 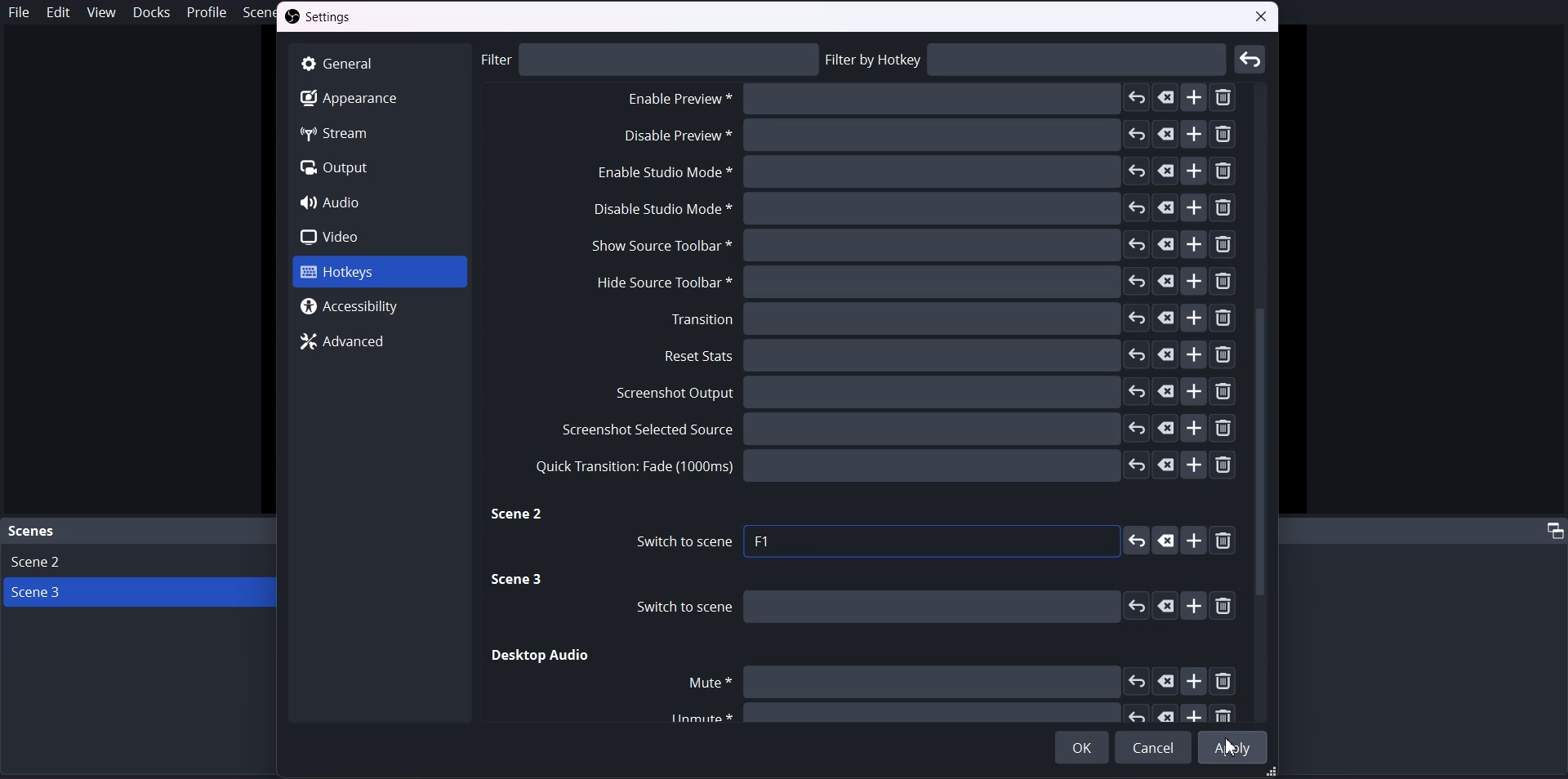 I want to click on adjust tab, so click(x=1552, y=530).